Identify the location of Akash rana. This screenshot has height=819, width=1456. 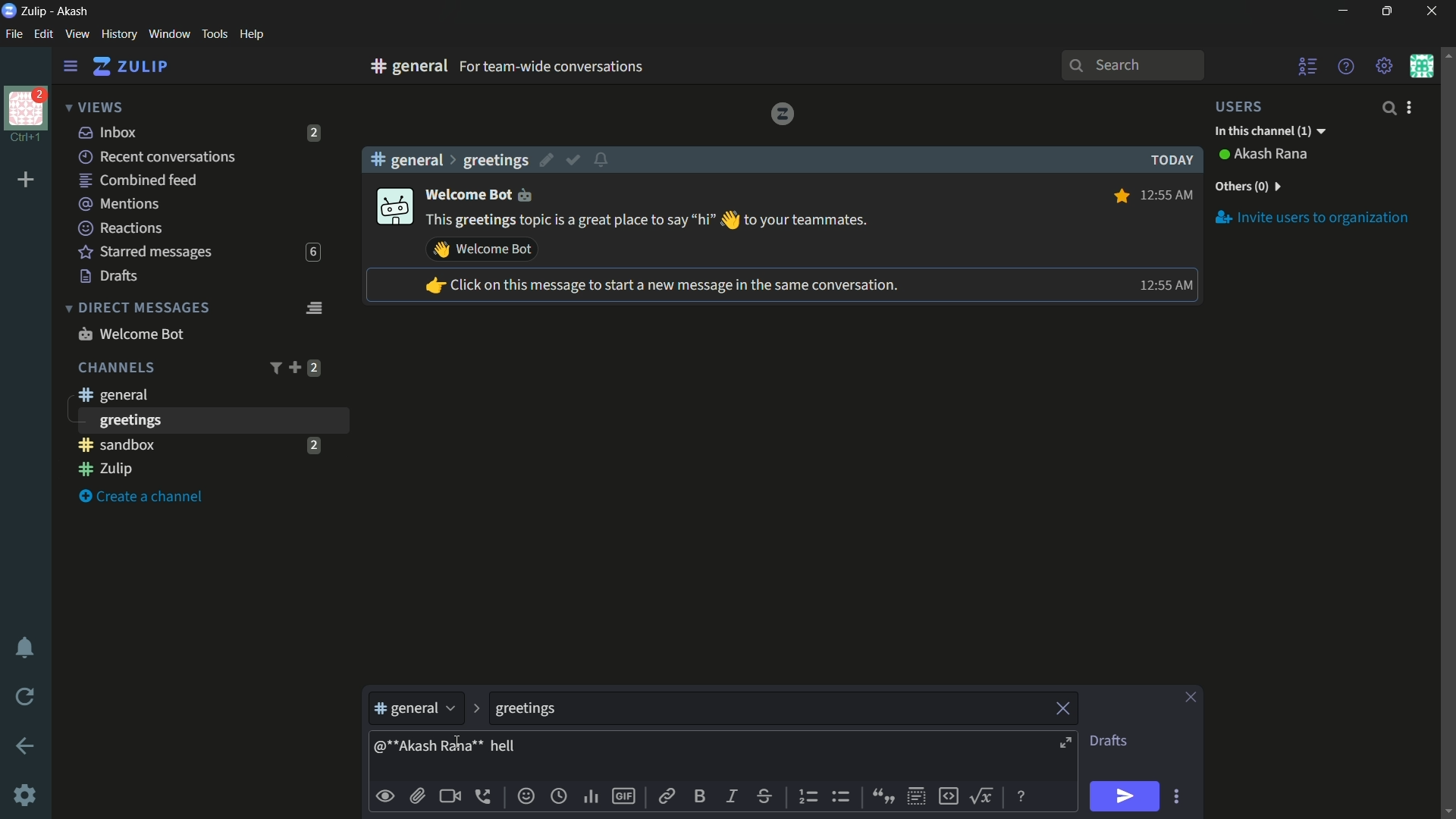
(1272, 155).